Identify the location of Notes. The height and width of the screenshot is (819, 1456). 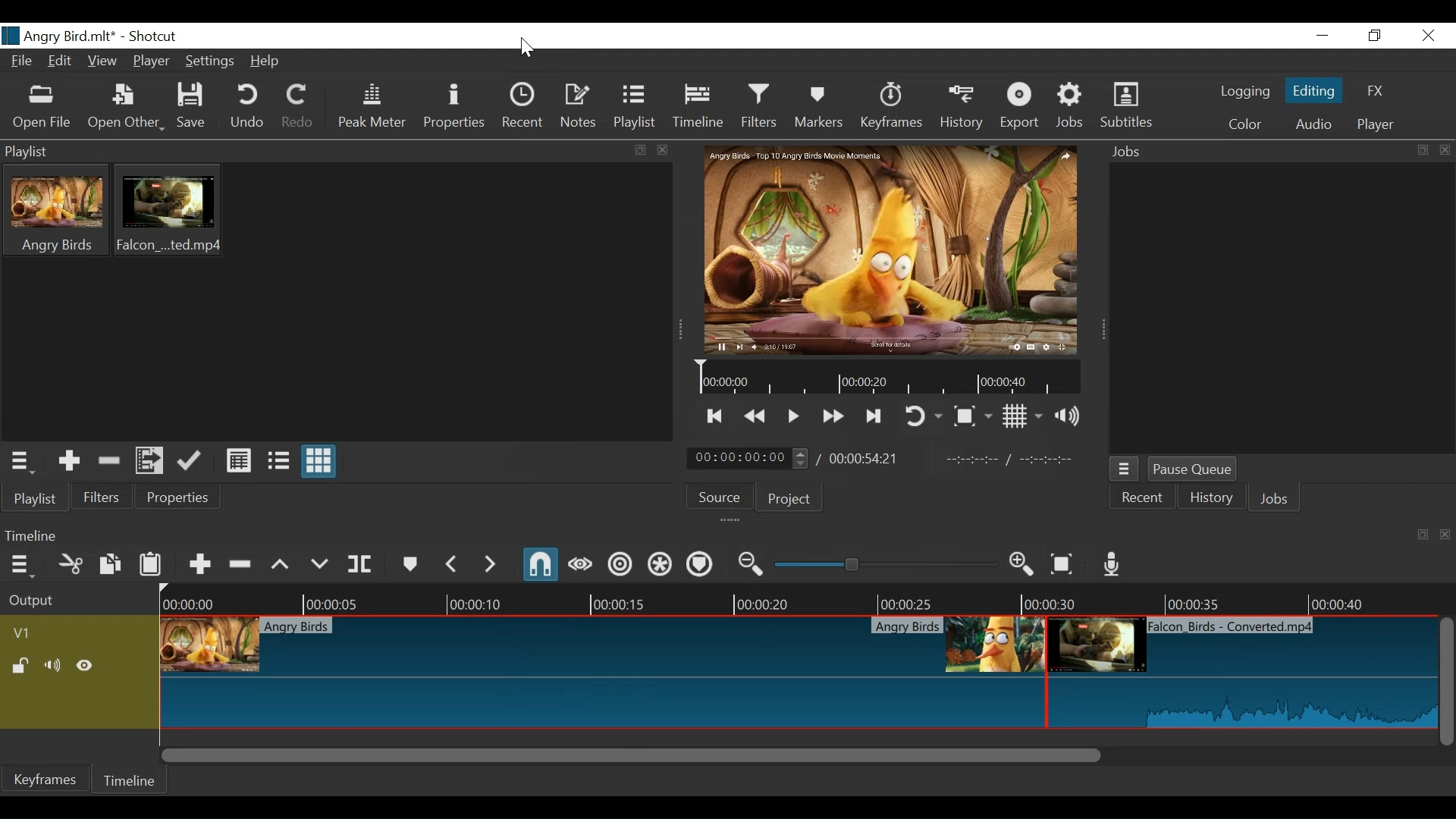
(580, 106).